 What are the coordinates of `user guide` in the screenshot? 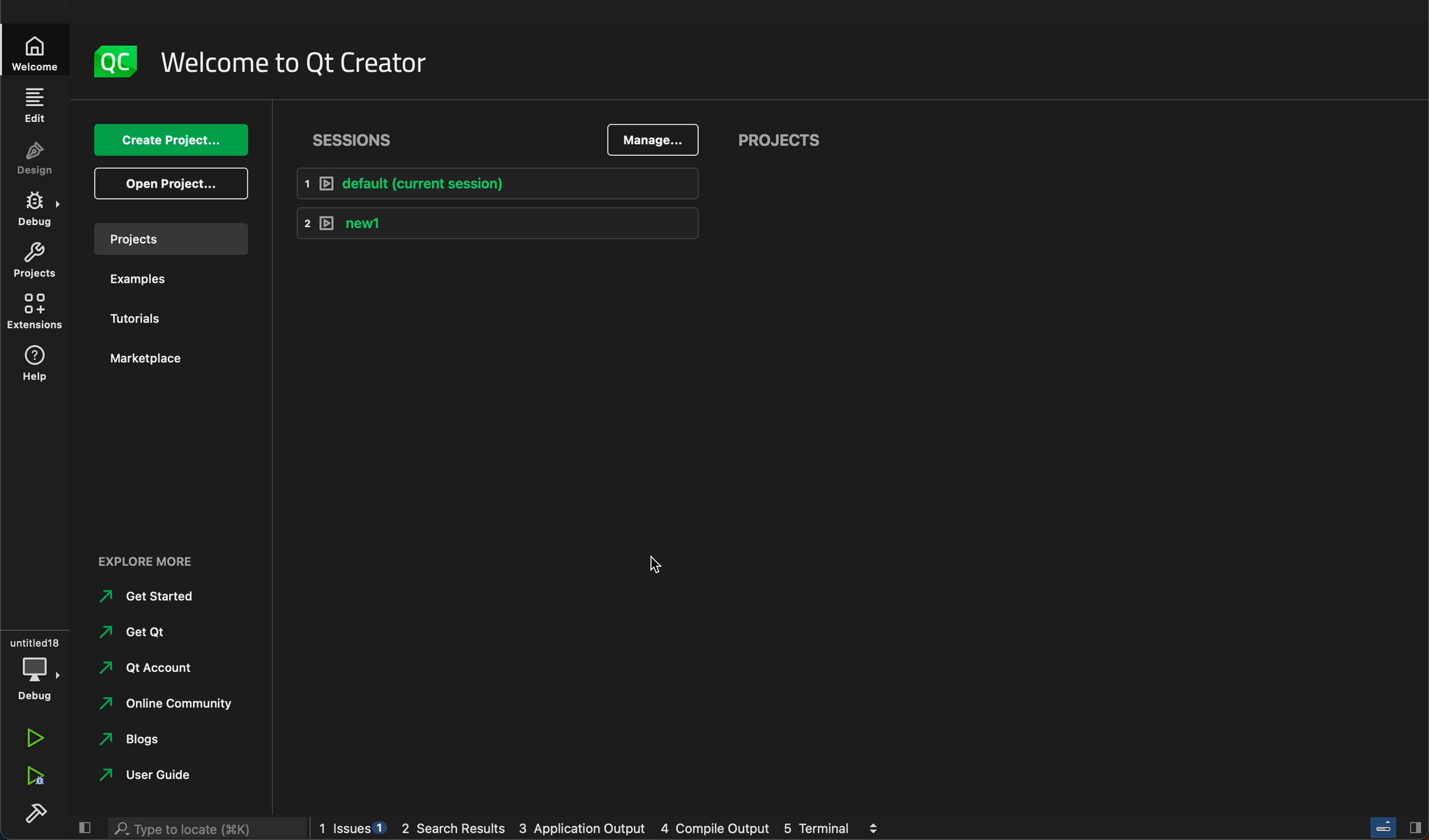 It's located at (161, 775).